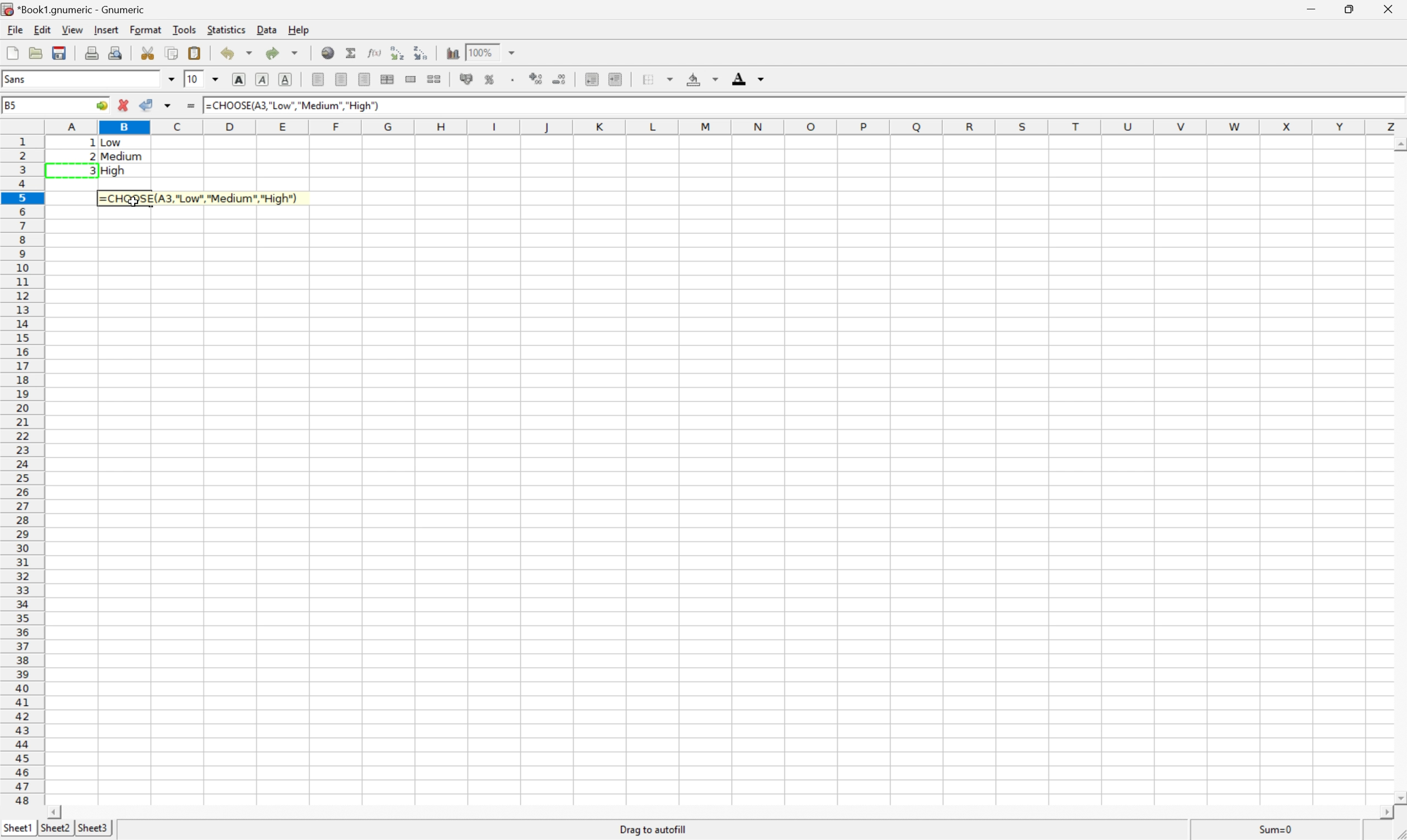  What do you see at coordinates (1382, 811) in the screenshot?
I see `Scroll Right` at bounding box center [1382, 811].